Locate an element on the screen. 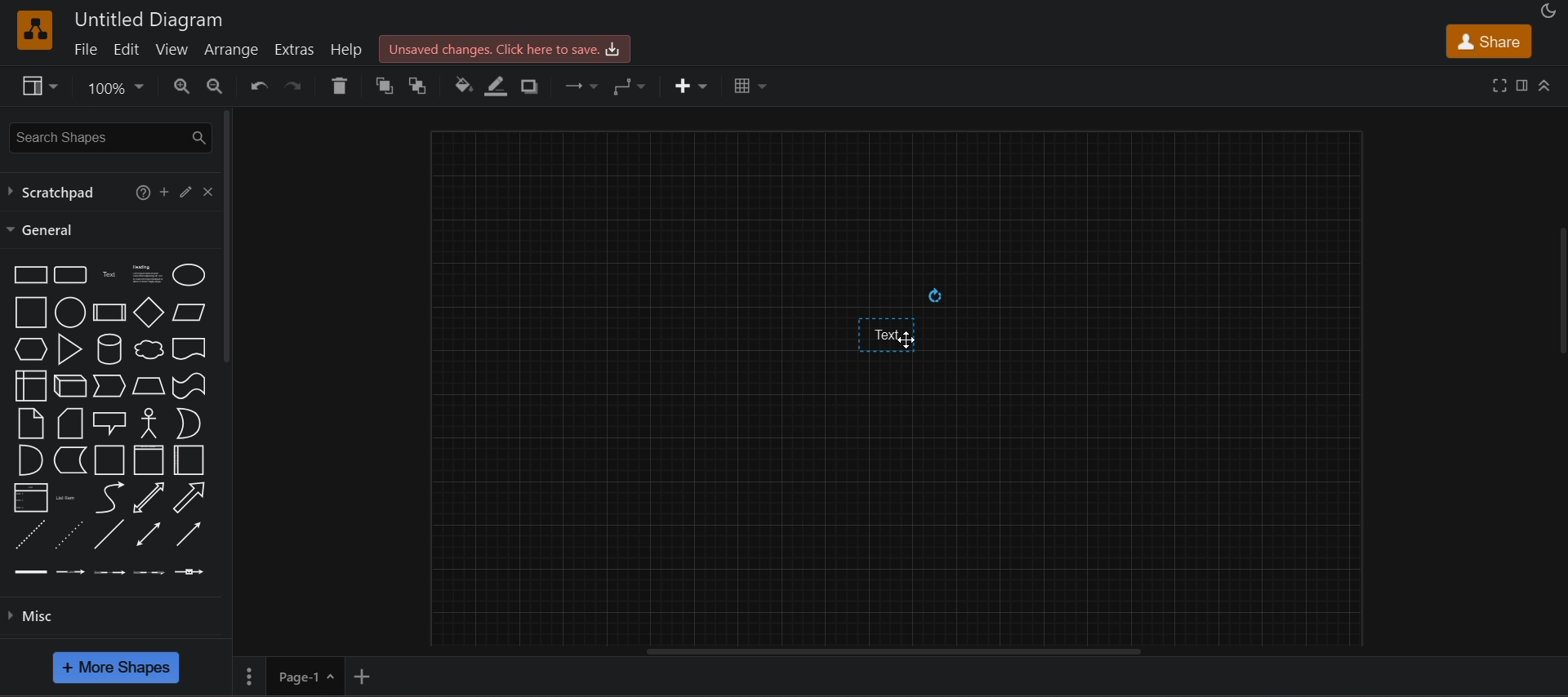  Card is located at coordinates (70, 424).